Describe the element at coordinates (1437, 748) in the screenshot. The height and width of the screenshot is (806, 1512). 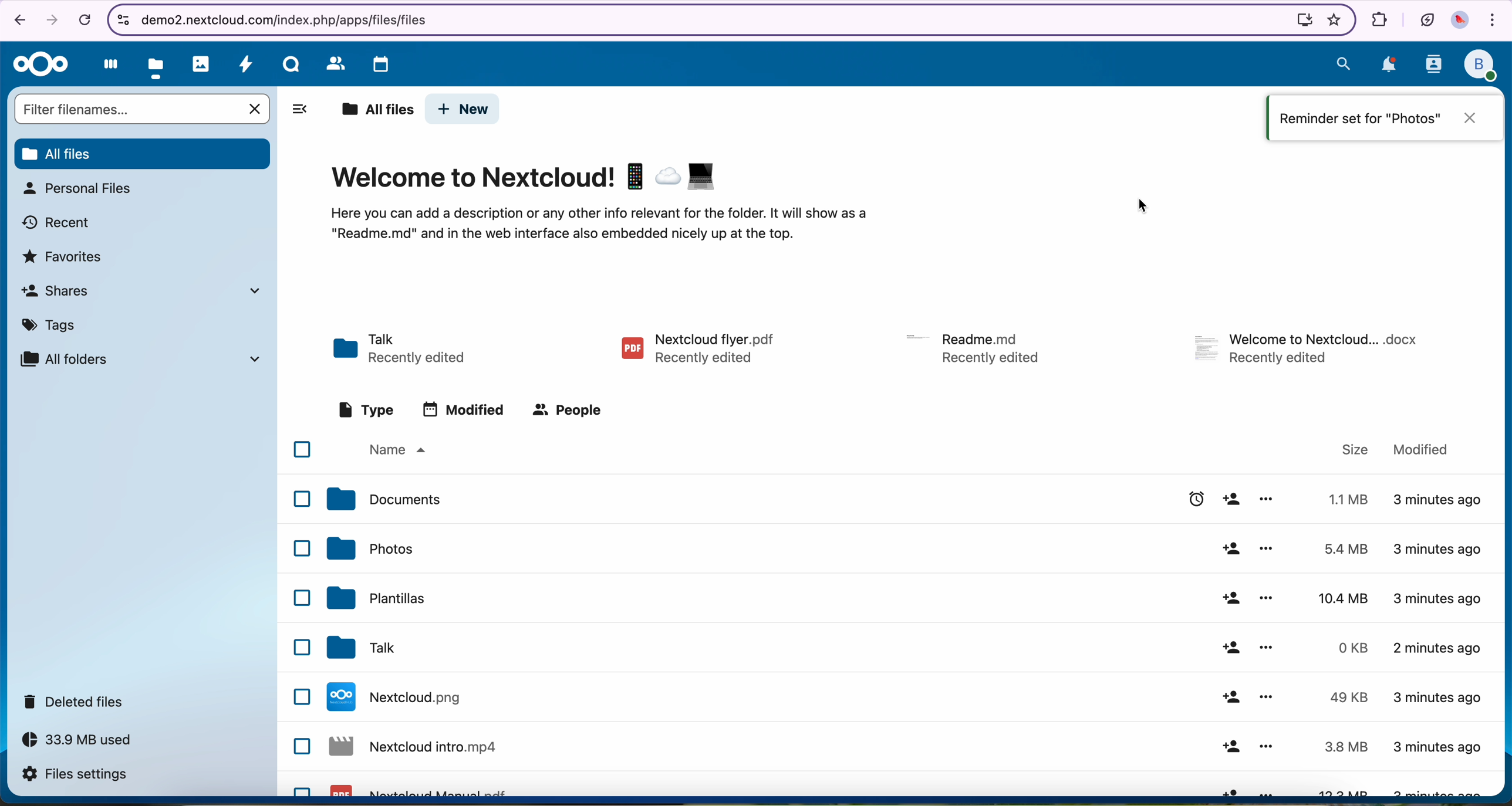
I see `3 minutes ago` at that location.